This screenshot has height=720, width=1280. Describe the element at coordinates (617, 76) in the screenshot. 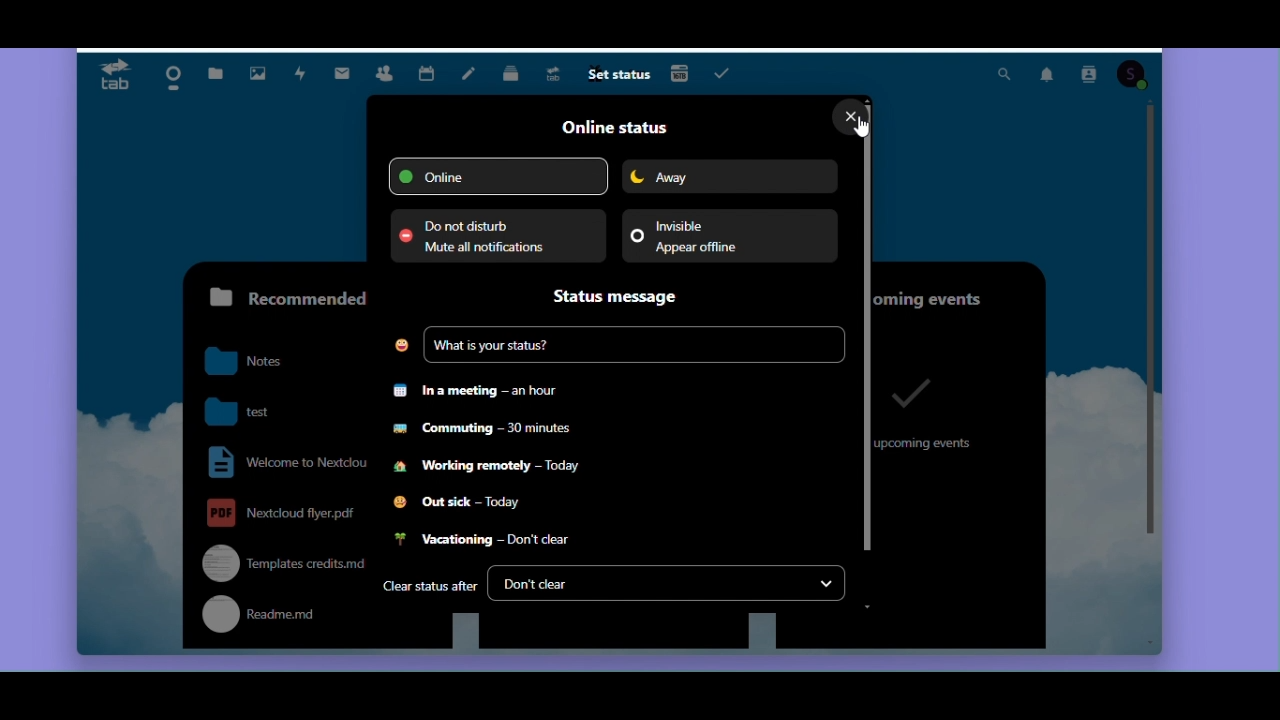

I see `Set status` at that location.